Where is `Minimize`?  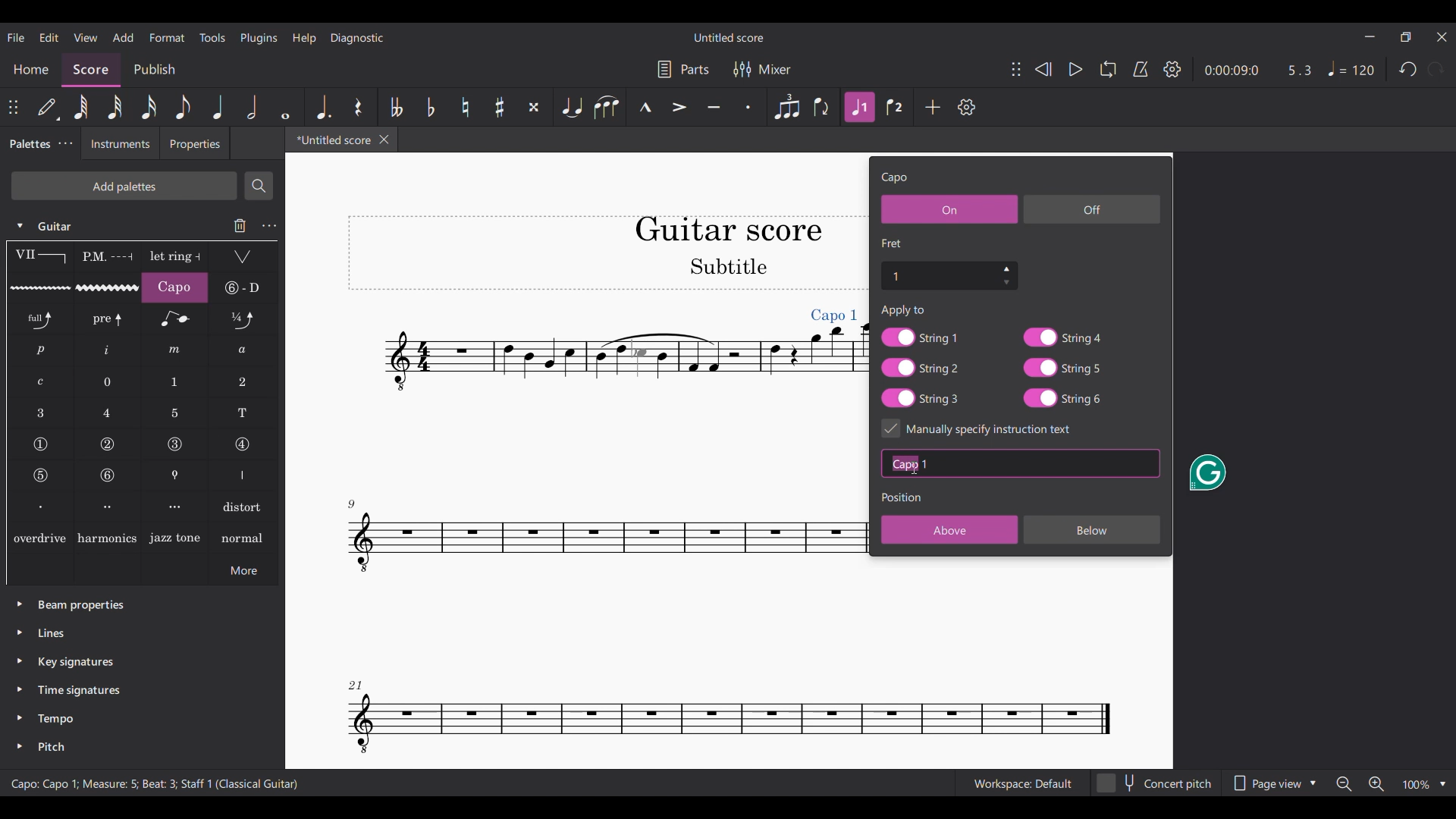 Minimize is located at coordinates (1370, 36).